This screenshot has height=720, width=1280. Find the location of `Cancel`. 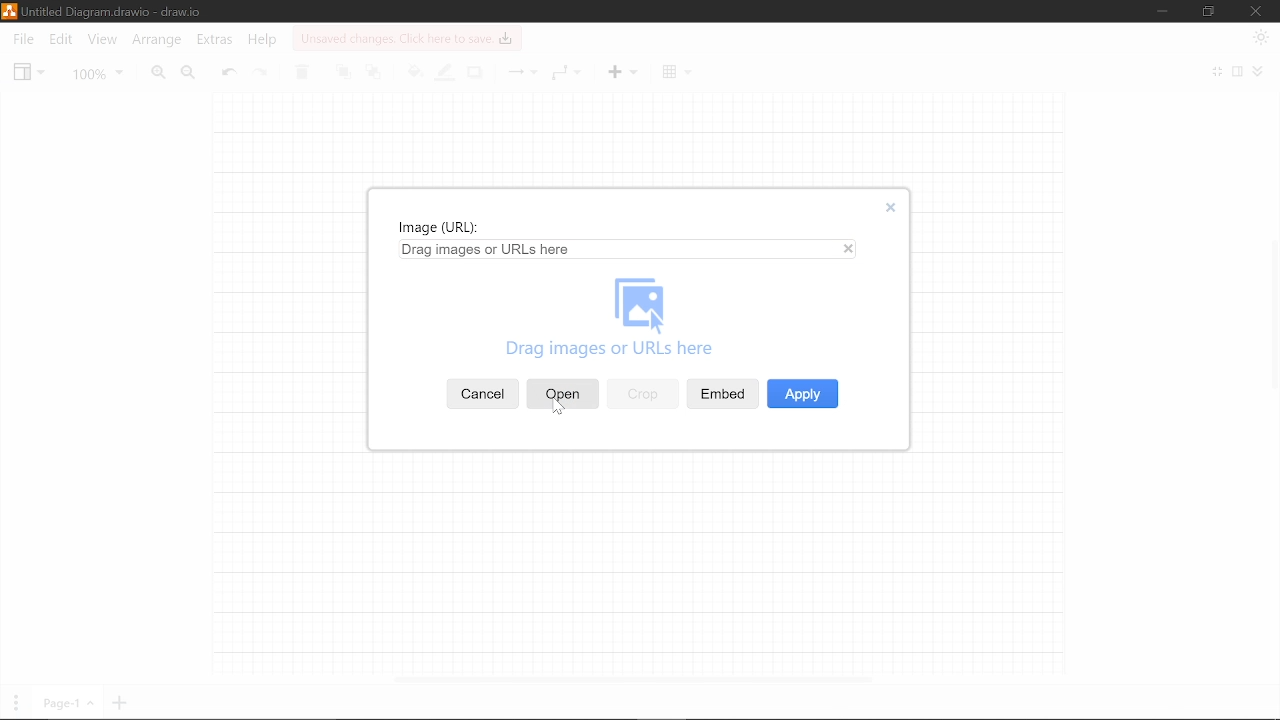

Cancel is located at coordinates (484, 394).